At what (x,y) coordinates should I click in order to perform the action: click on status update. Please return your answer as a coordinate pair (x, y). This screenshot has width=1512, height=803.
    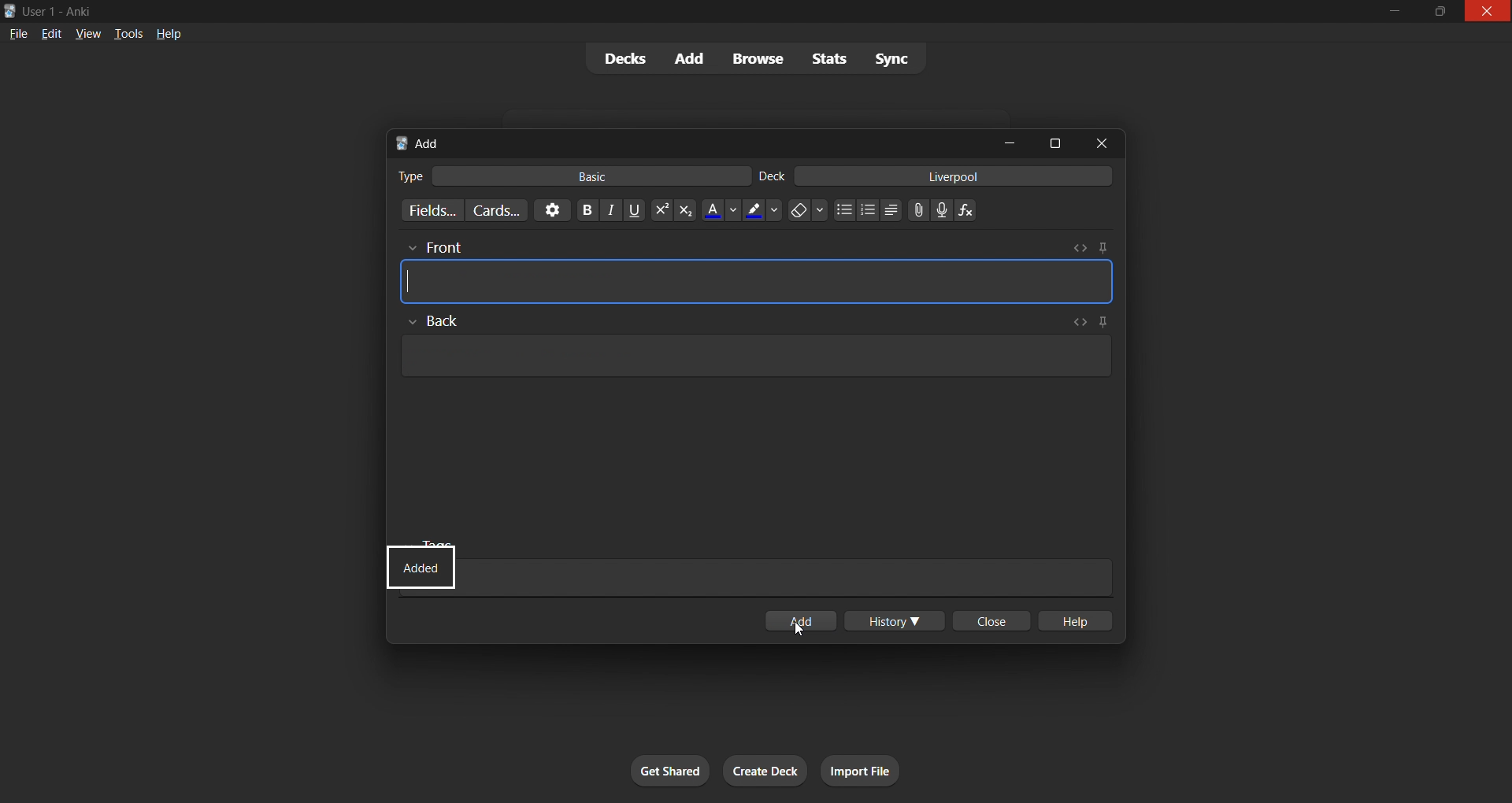
    Looking at the image, I should click on (424, 568).